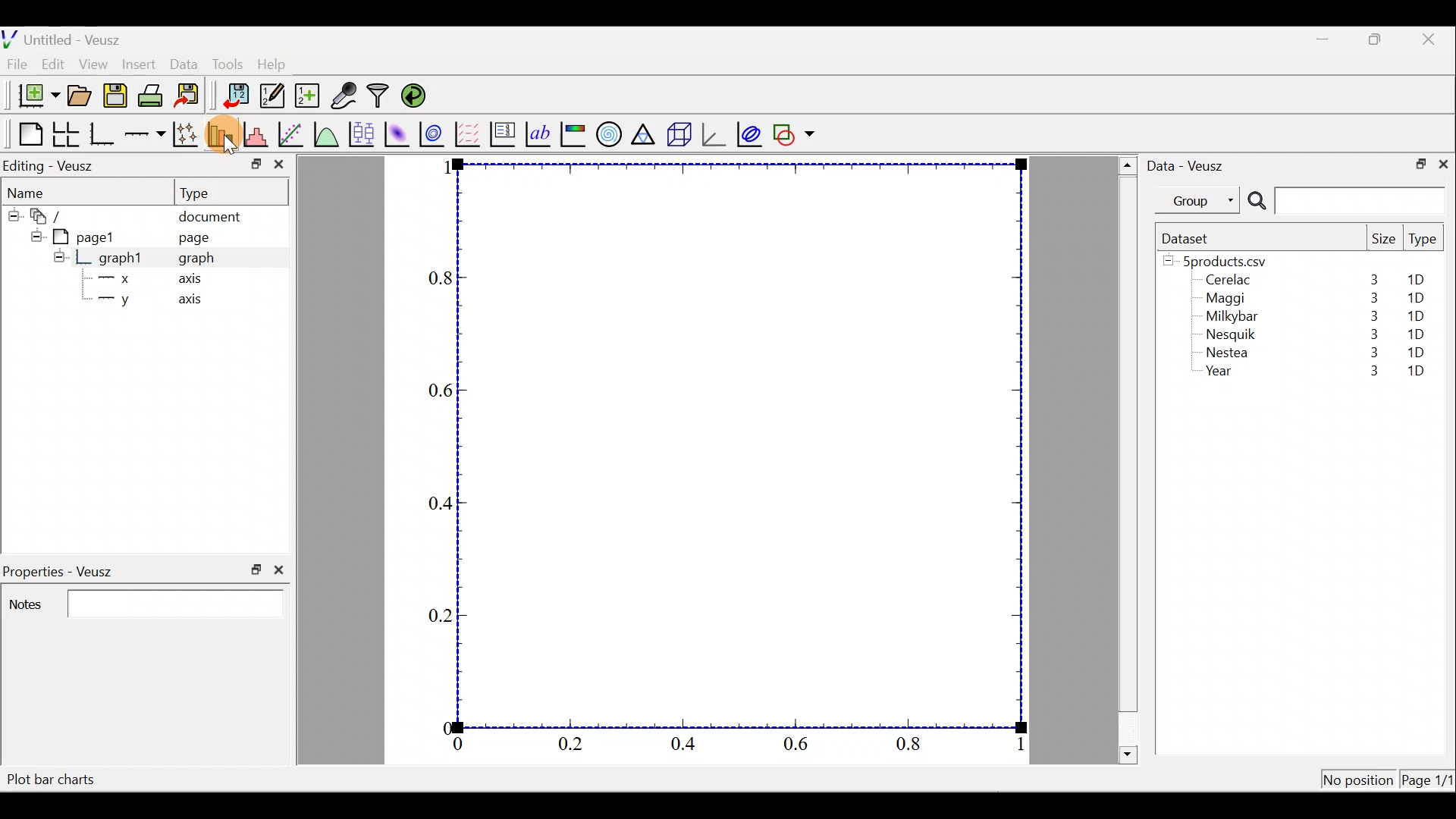 The image size is (1456, 819). Describe the element at coordinates (1418, 331) in the screenshot. I see `1D` at that location.